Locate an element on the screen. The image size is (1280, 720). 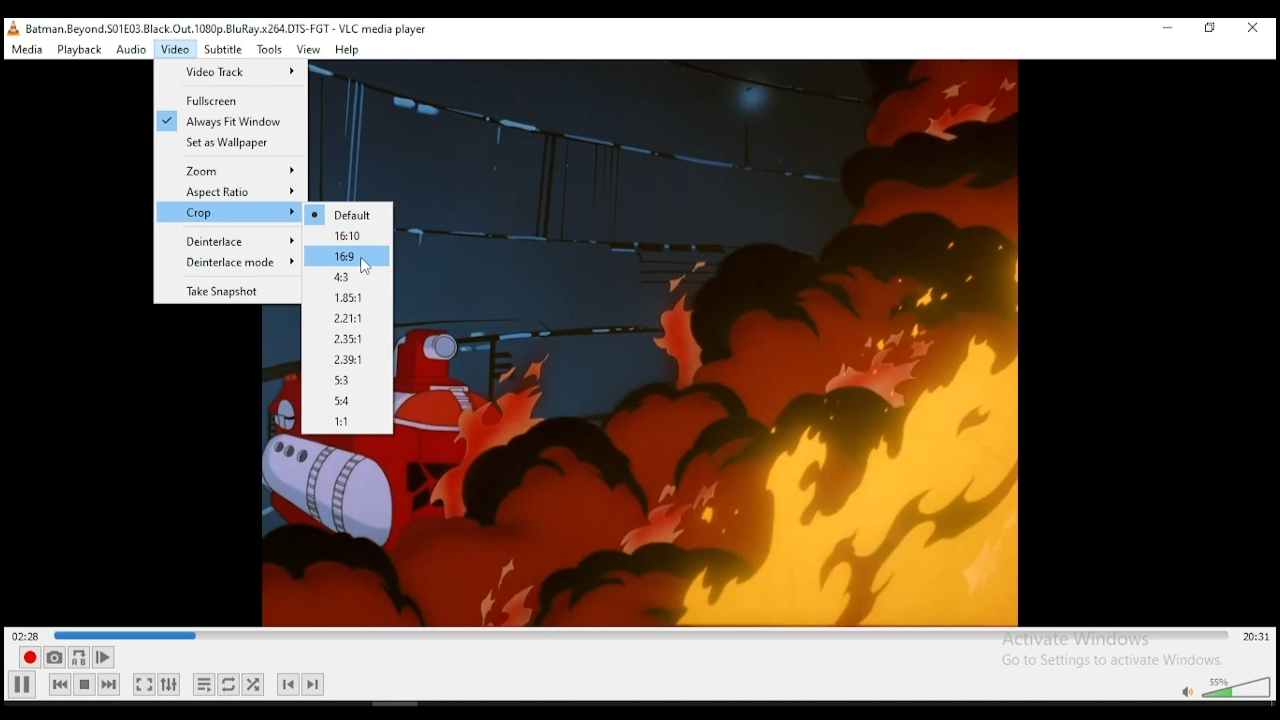
tools is located at coordinates (270, 51).